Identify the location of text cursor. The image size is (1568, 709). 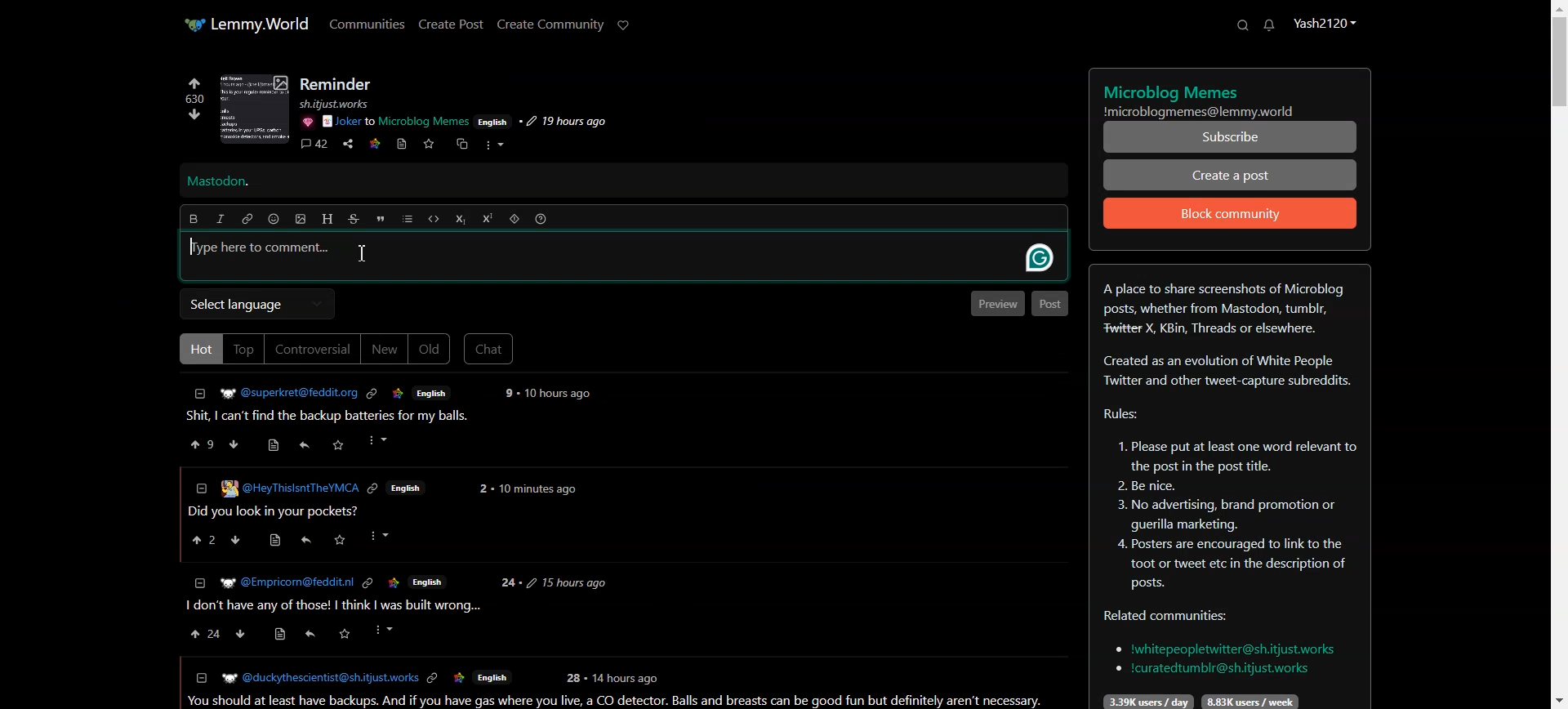
(192, 247).